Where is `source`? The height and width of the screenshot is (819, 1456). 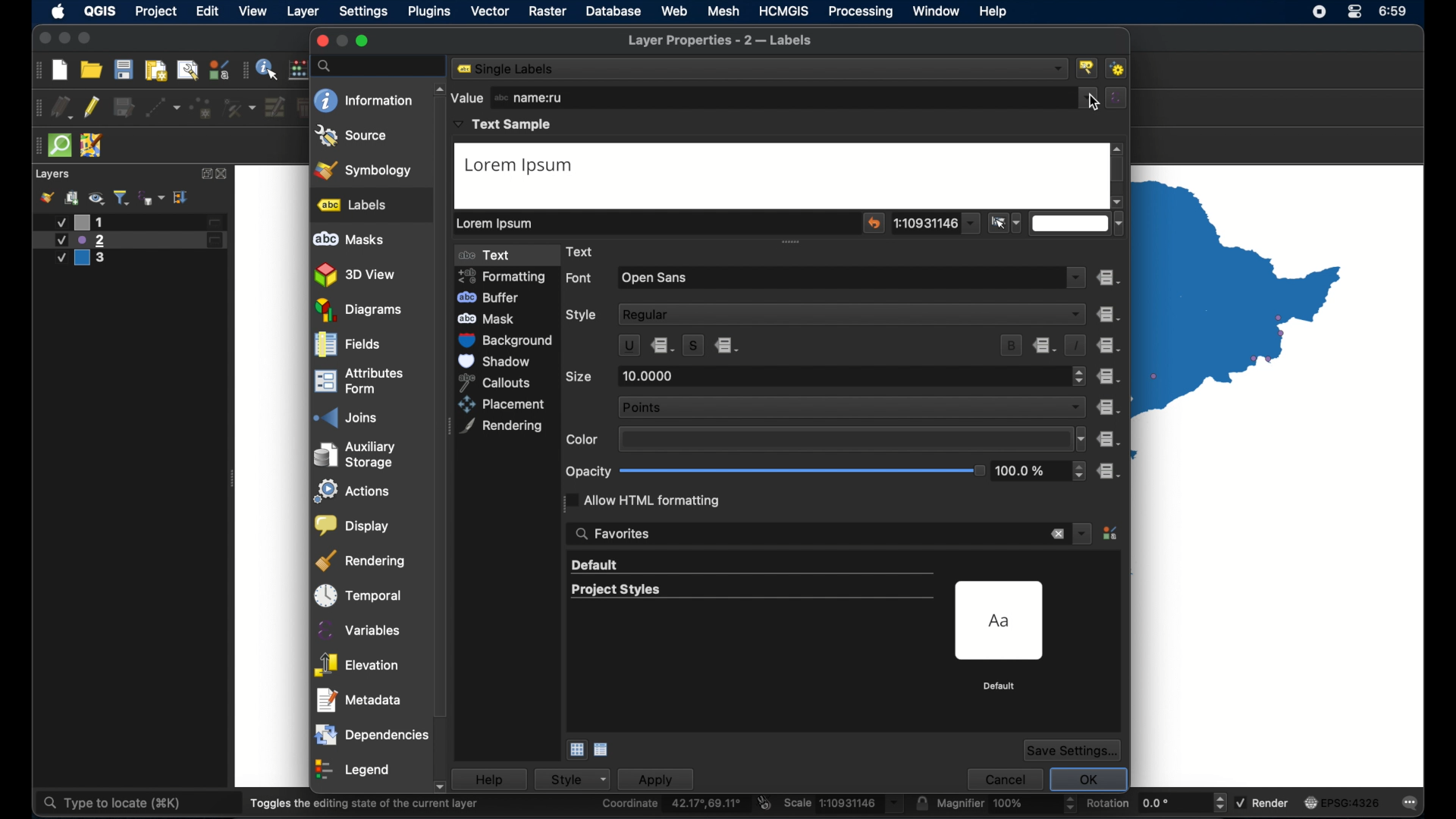 source is located at coordinates (352, 136).